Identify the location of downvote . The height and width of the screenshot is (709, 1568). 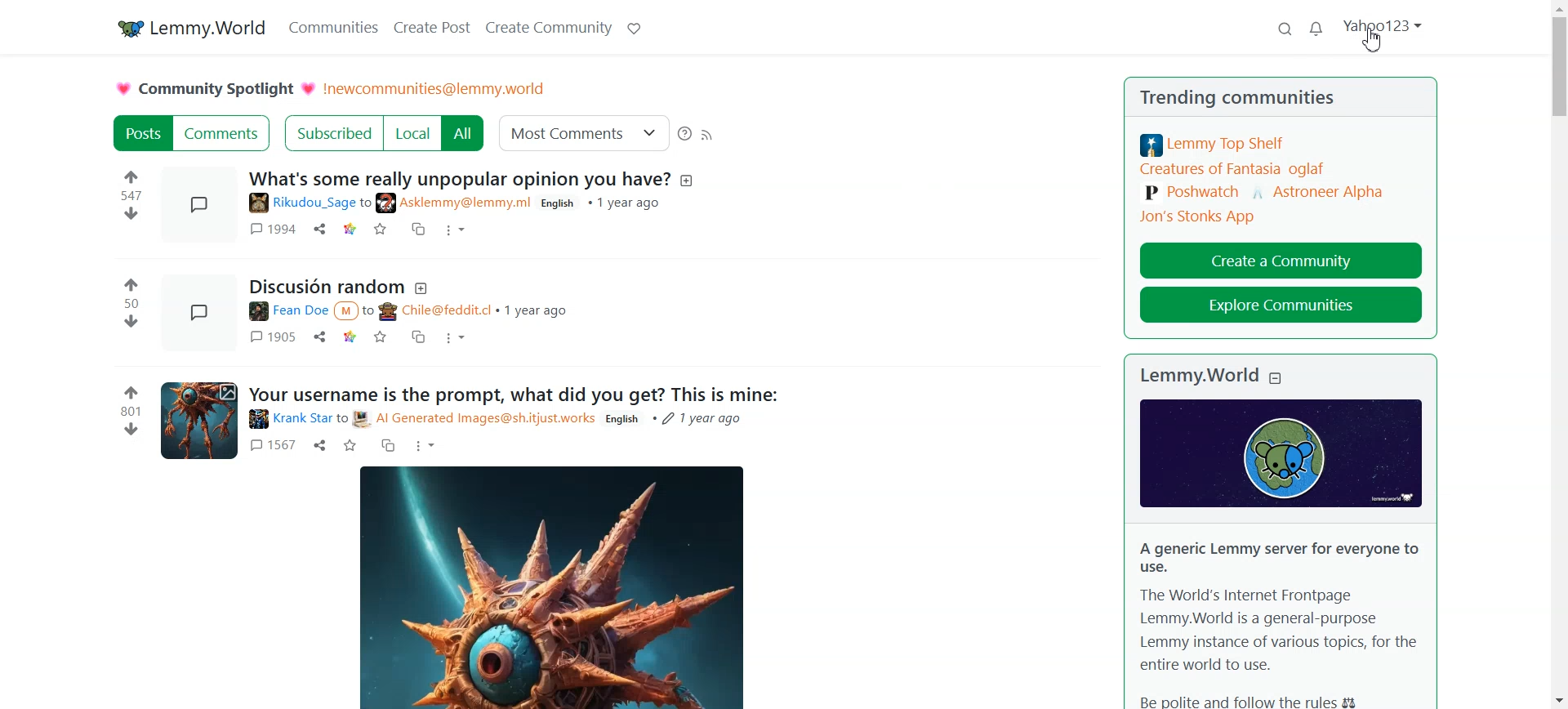
(131, 213).